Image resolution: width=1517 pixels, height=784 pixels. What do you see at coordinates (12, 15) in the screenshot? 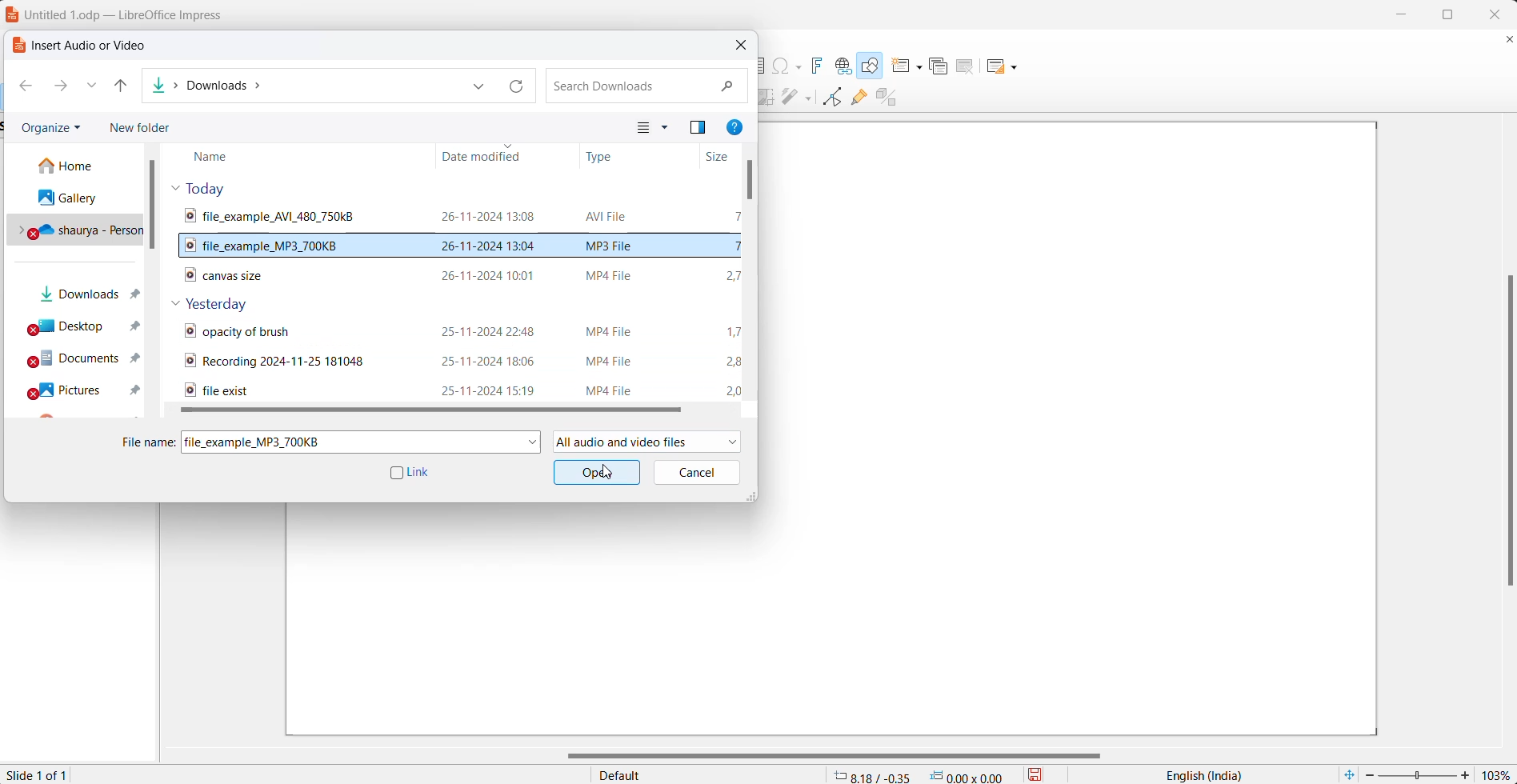
I see `logo` at bounding box center [12, 15].